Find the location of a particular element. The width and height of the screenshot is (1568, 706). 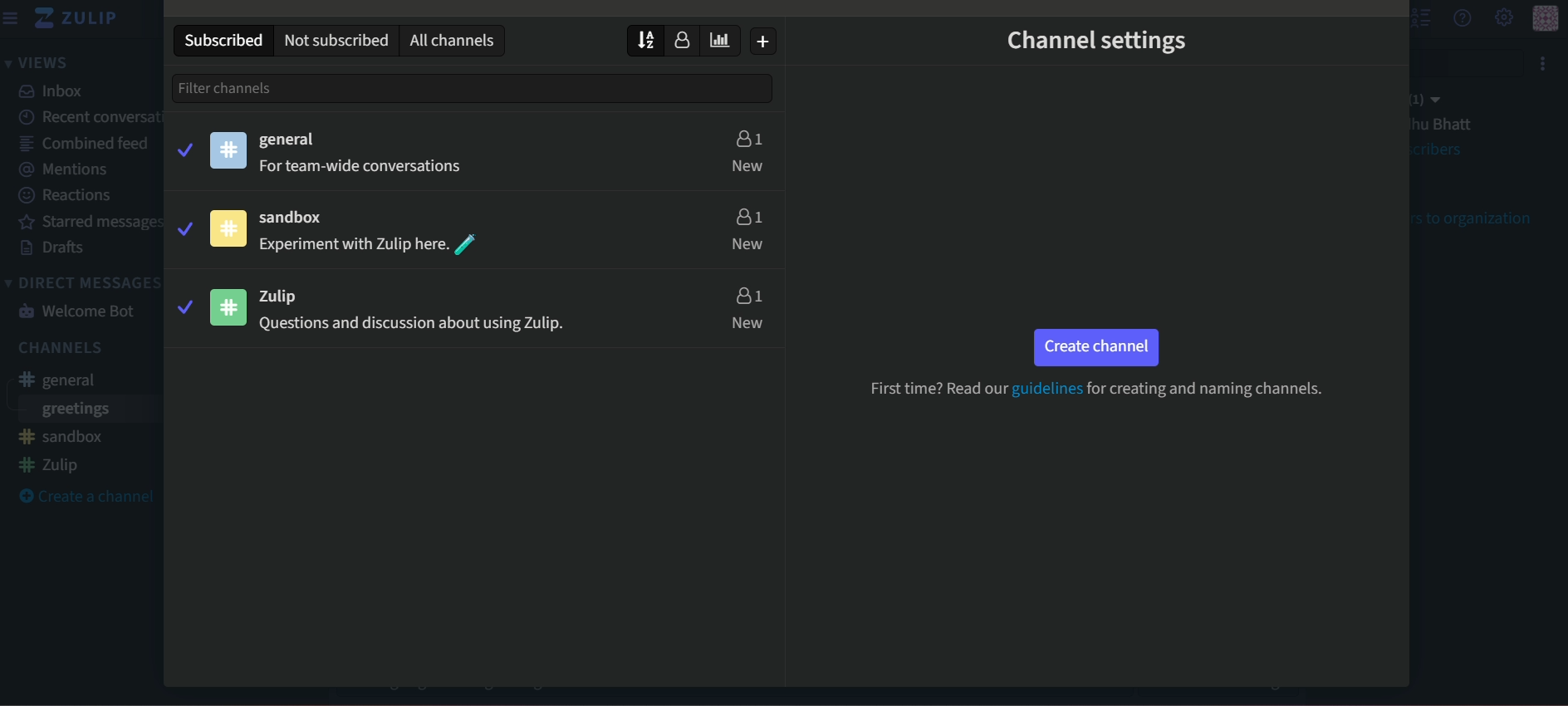

sandbox is located at coordinates (61, 438).